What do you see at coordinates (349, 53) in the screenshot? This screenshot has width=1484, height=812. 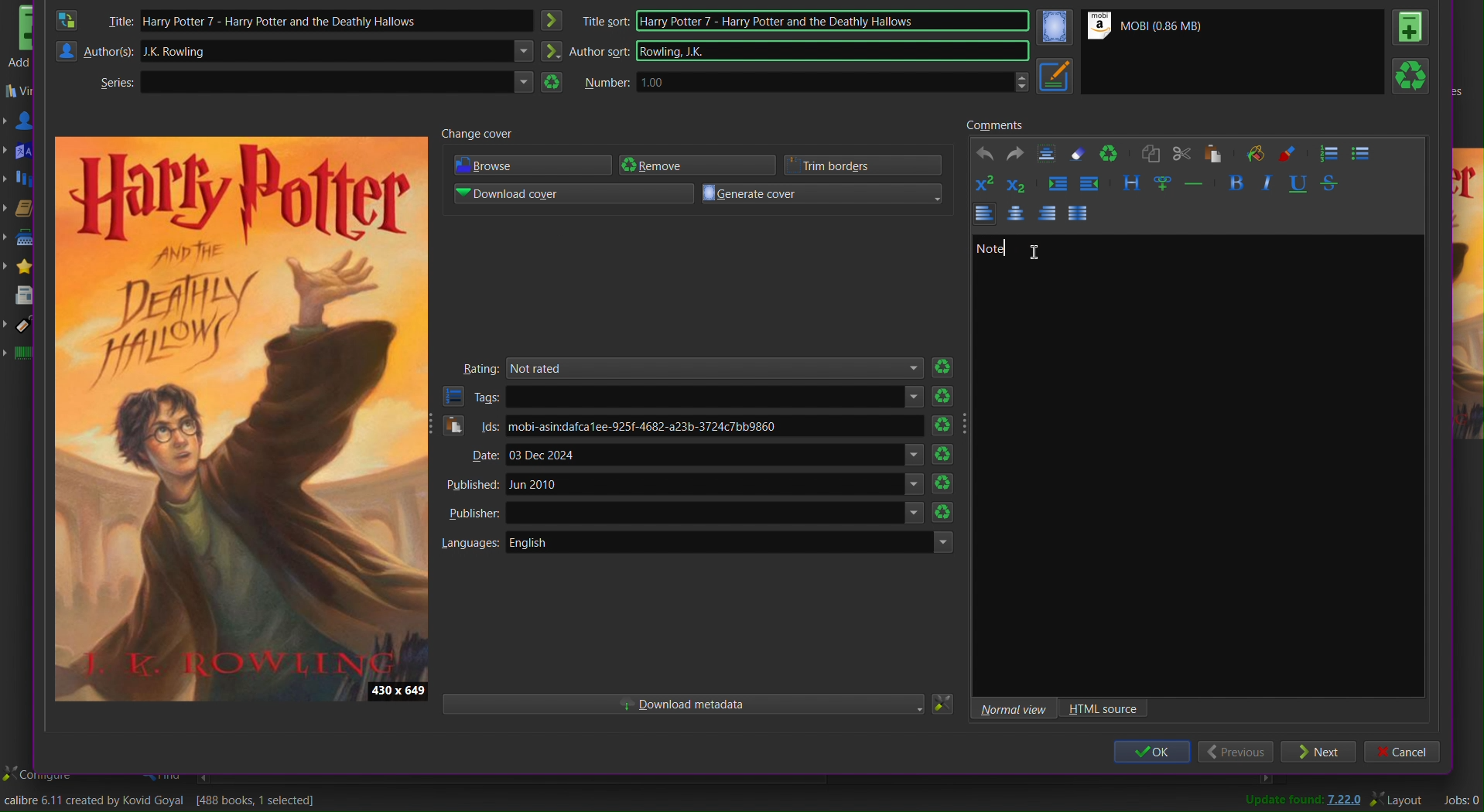 I see `JK Rawling` at bounding box center [349, 53].